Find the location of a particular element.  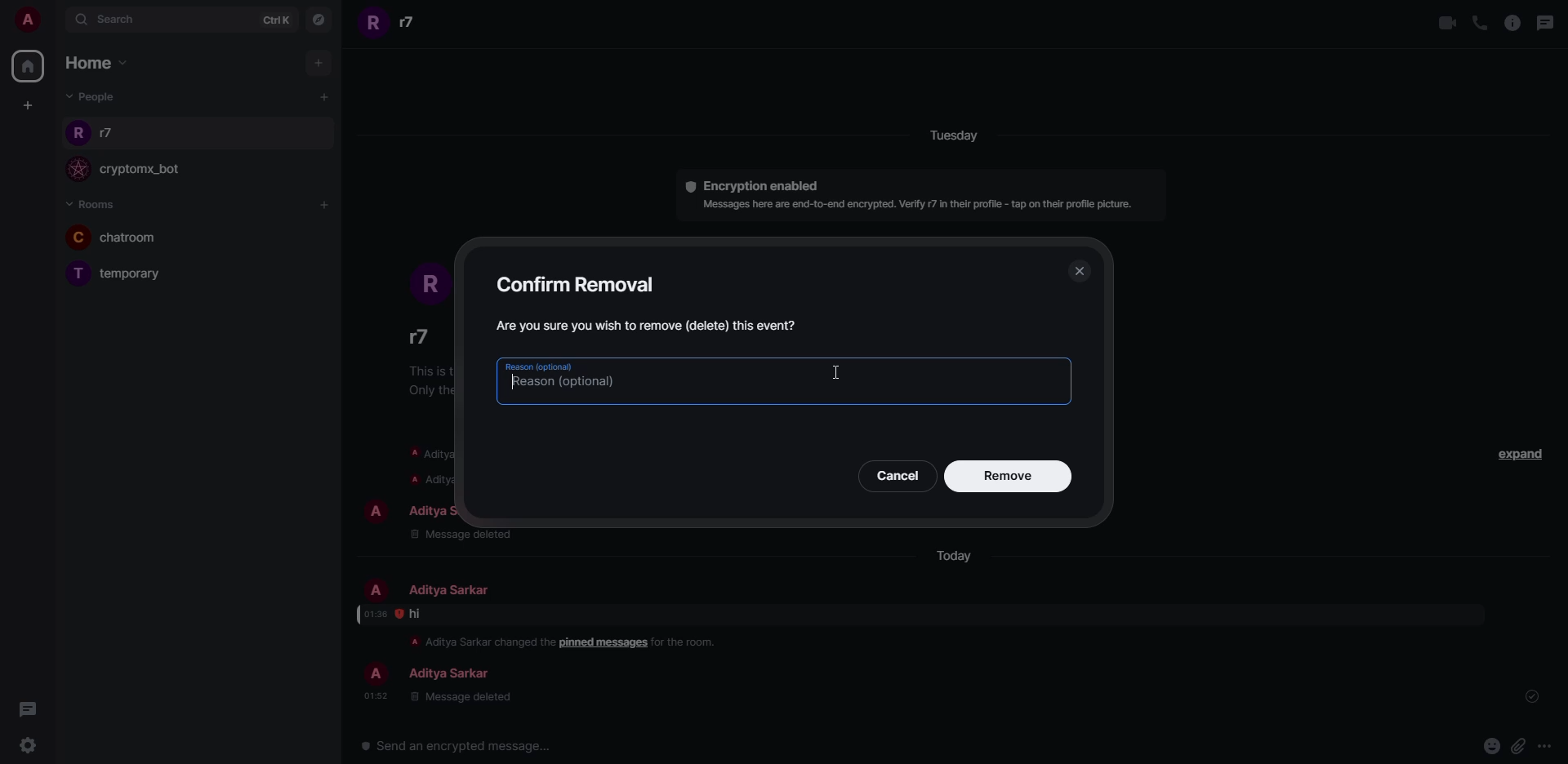

people is located at coordinates (93, 96).